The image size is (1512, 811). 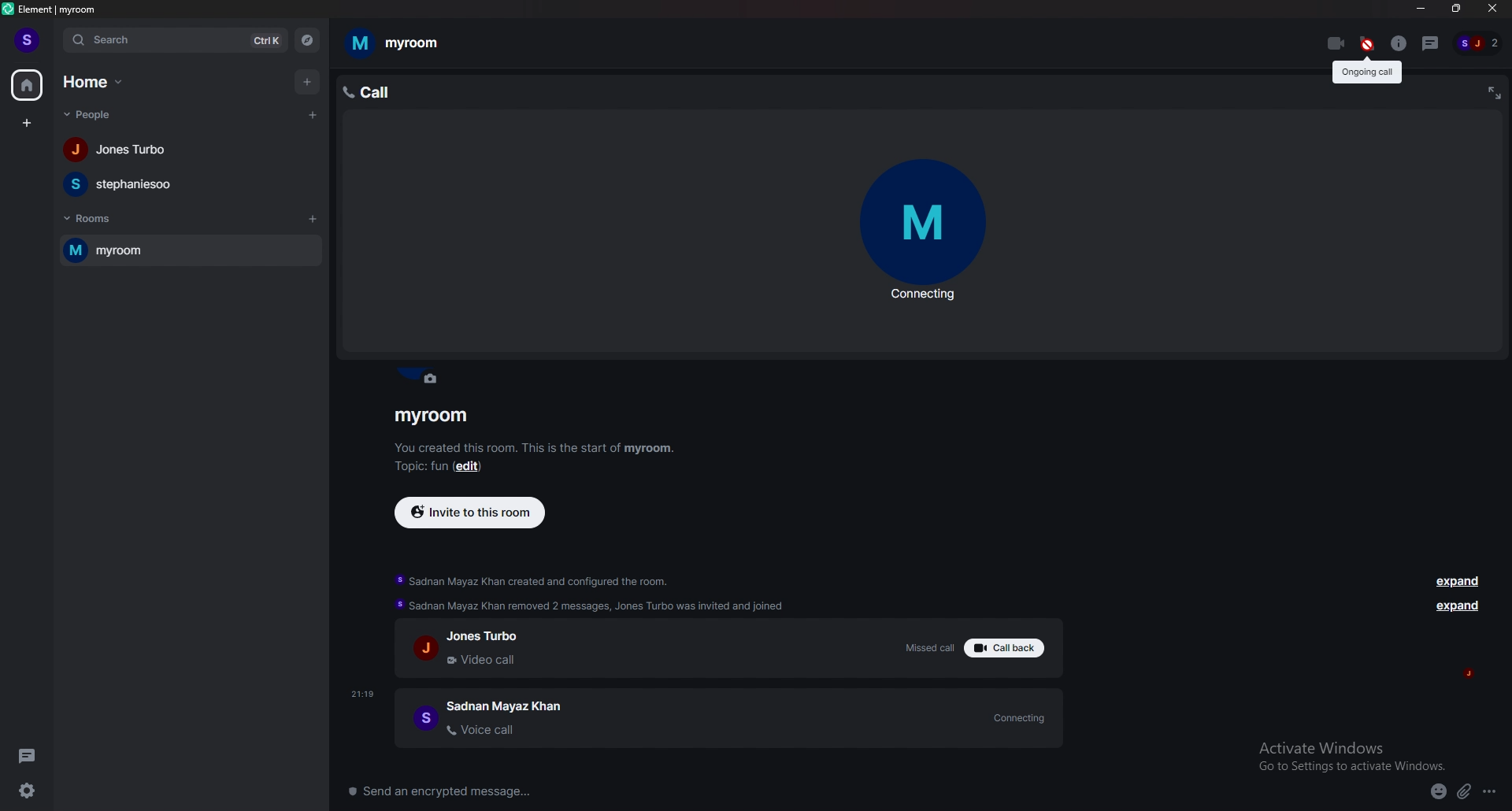 What do you see at coordinates (1491, 792) in the screenshot?
I see `more options` at bounding box center [1491, 792].